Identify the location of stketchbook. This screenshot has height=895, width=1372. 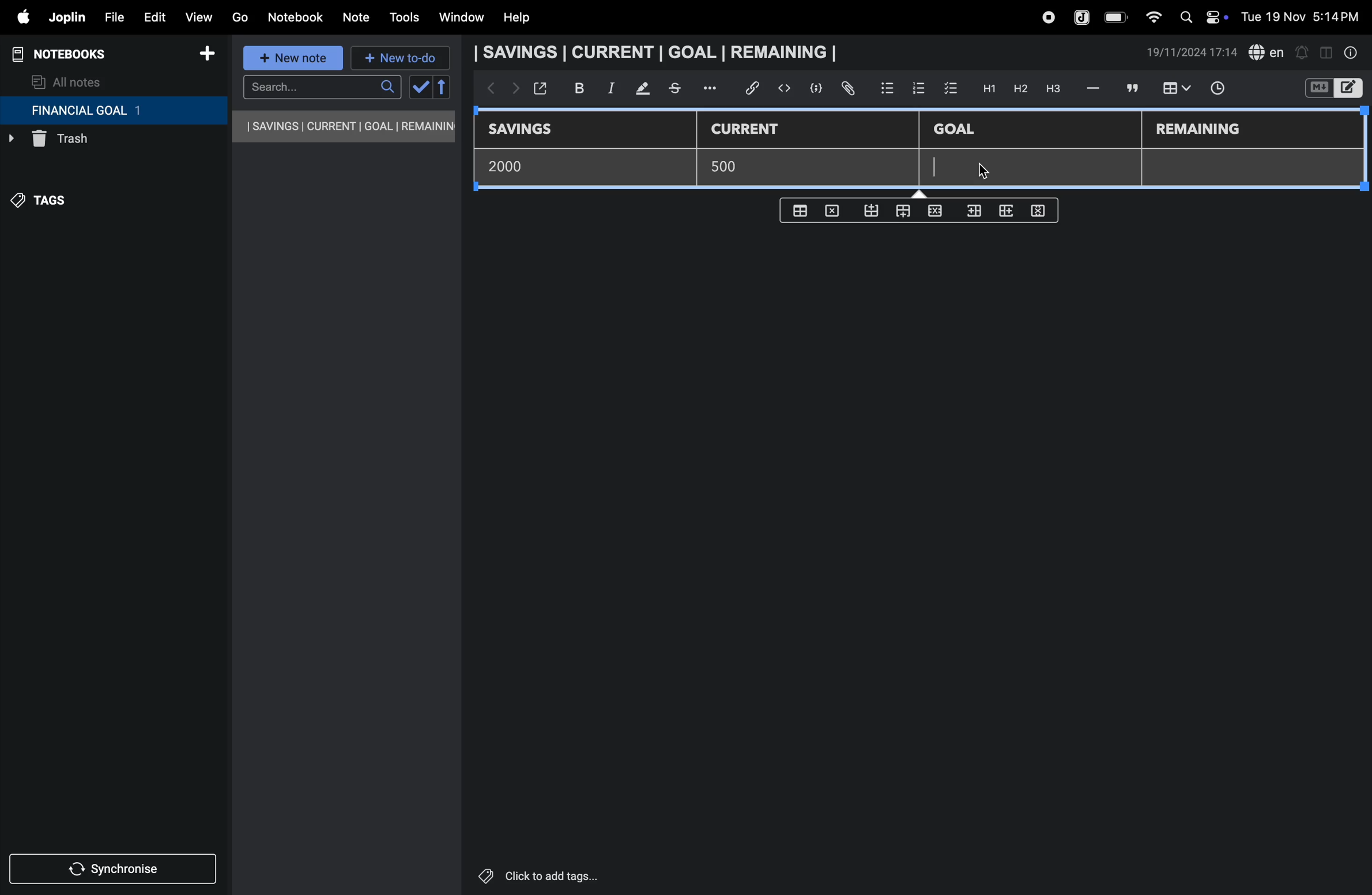
(676, 90).